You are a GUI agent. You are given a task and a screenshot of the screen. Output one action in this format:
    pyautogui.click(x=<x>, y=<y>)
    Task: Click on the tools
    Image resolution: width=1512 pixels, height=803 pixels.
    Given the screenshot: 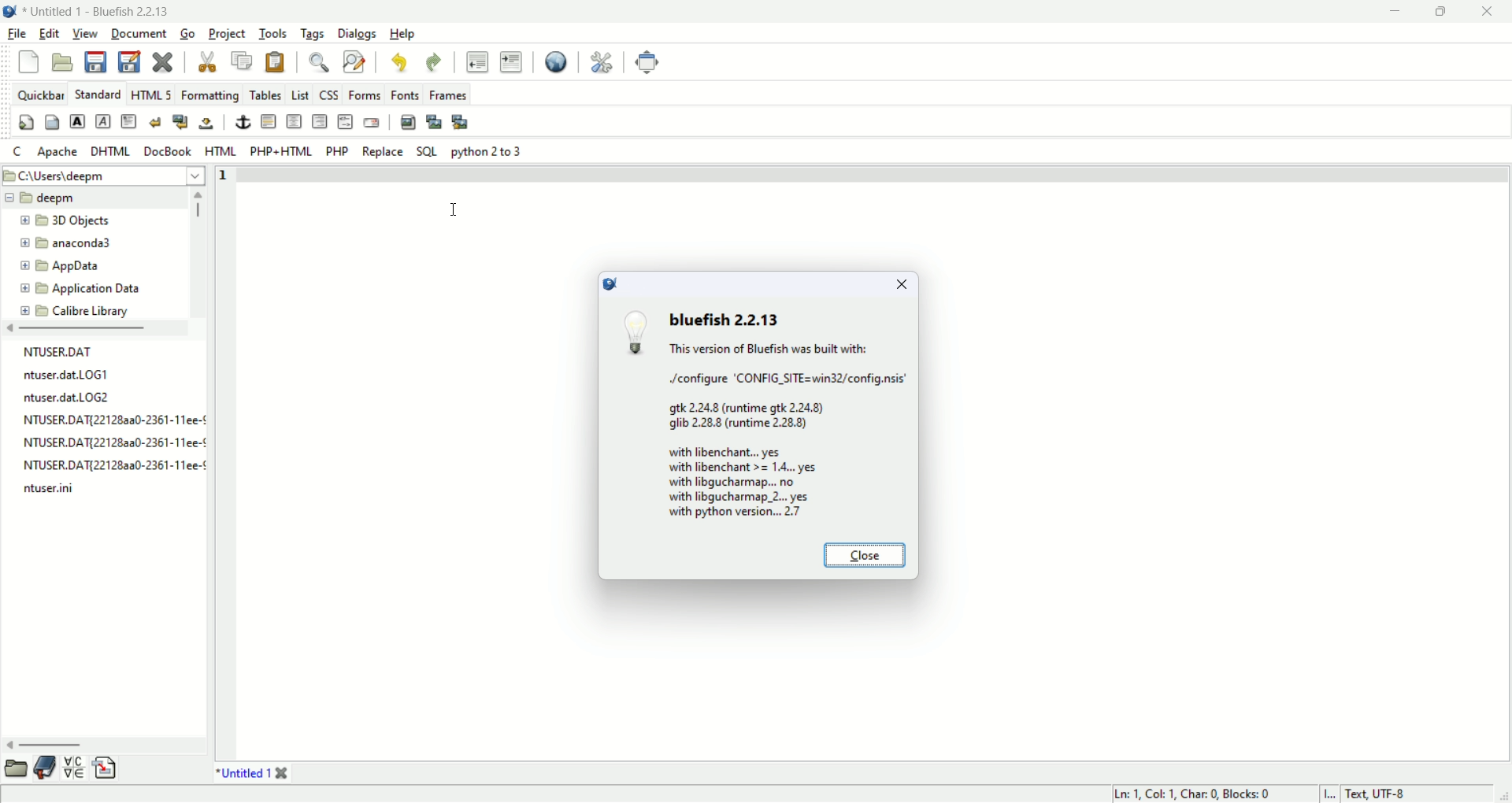 What is the action you would take?
    pyautogui.click(x=272, y=34)
    